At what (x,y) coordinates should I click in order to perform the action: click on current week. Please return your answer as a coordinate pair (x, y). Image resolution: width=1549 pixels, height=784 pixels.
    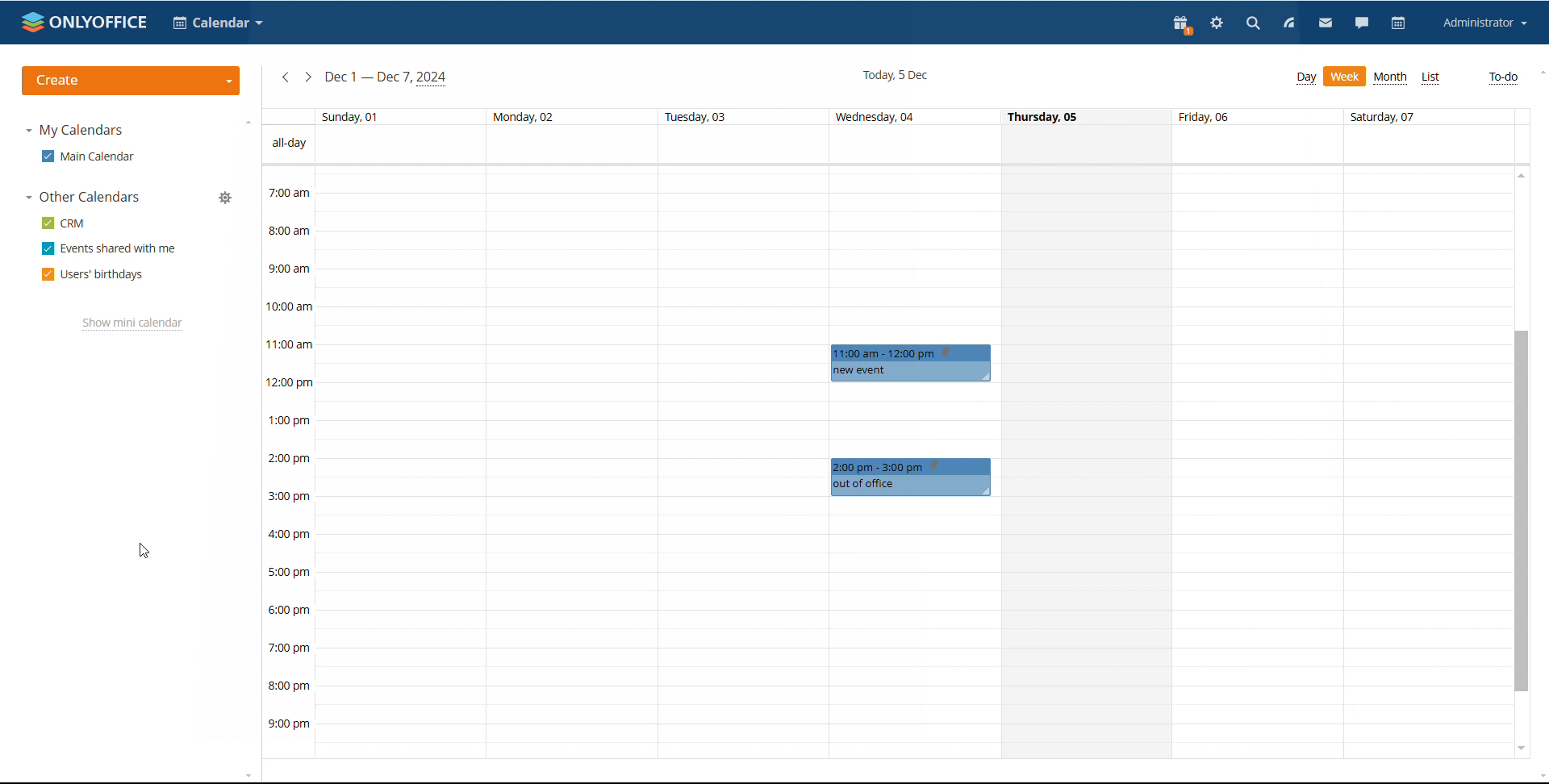
    Looking at the image, I should click on (388, 79).